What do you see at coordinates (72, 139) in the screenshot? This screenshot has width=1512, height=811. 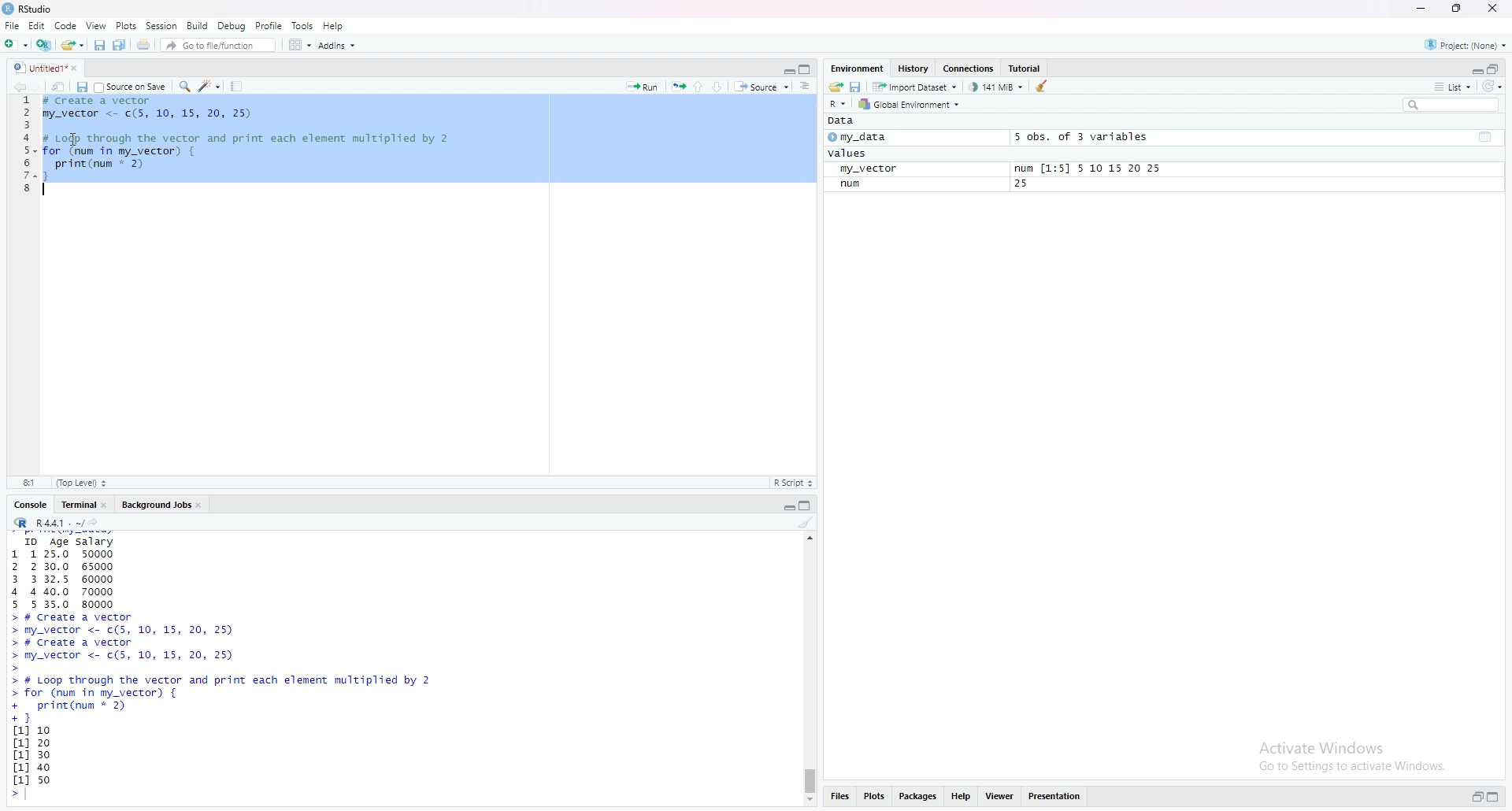 I see `cursor` at bounding box center [72, 139].